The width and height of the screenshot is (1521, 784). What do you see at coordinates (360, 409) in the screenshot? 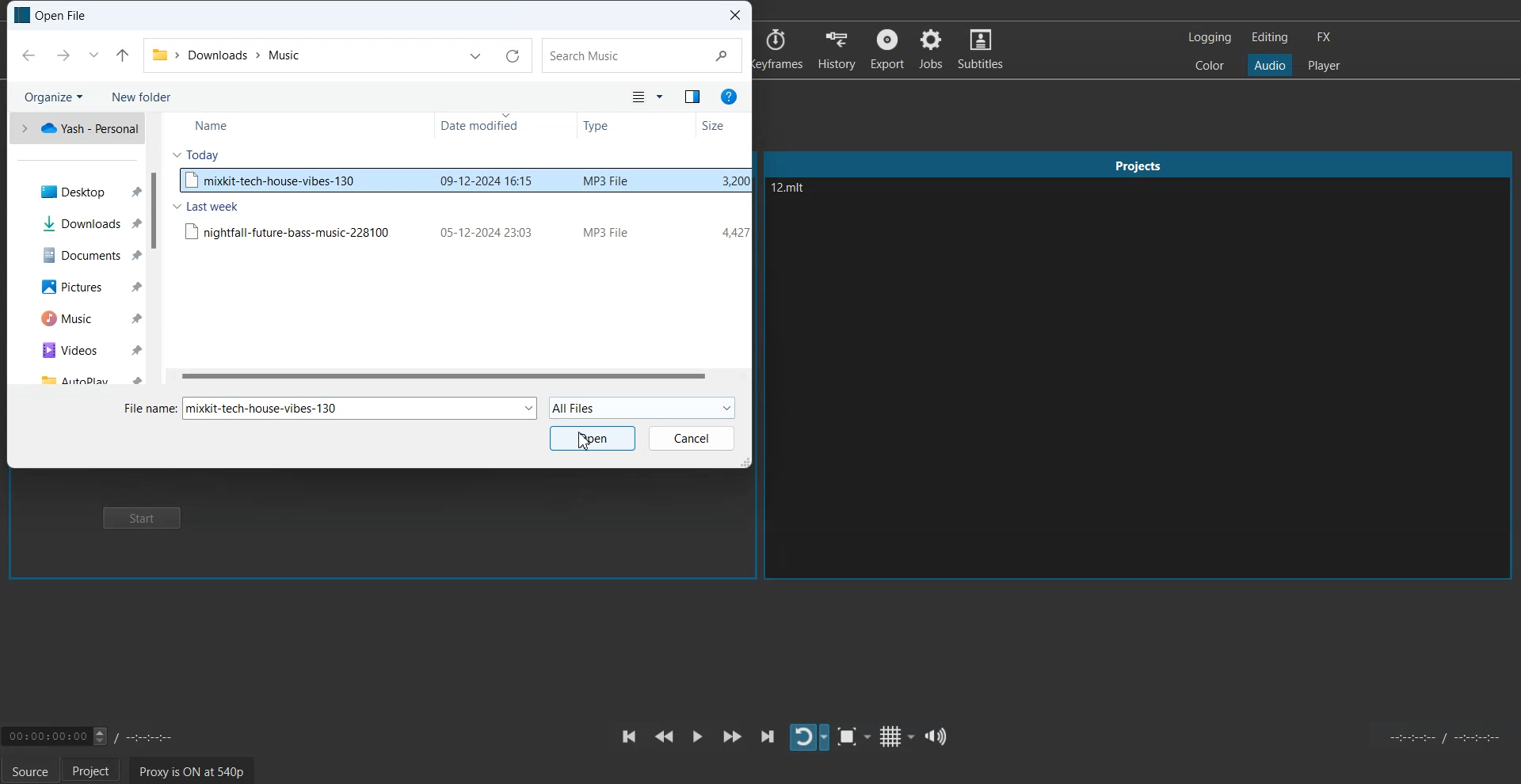
I see `Text` at bounding box center [360, 409].